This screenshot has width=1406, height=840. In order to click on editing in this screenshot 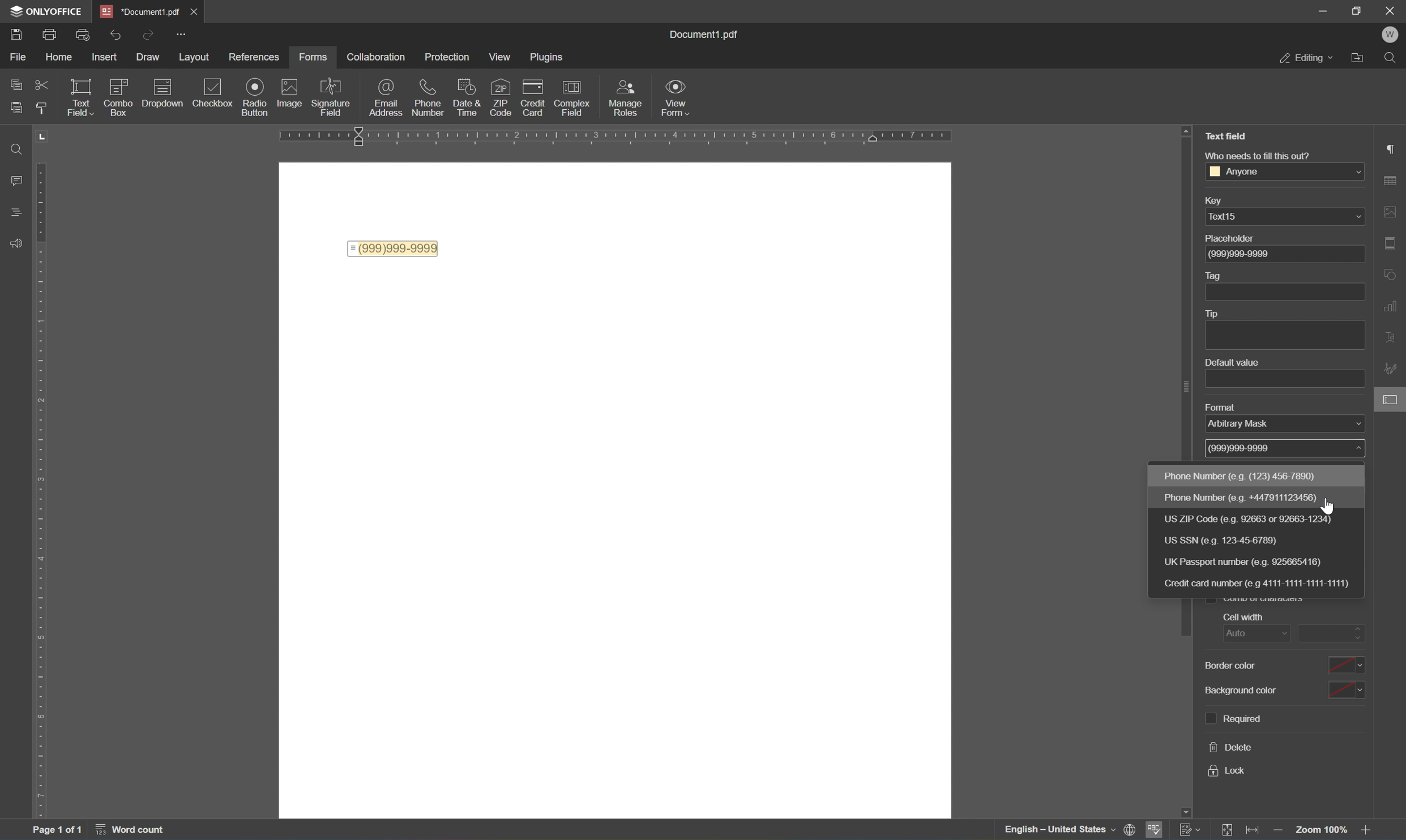, I will do `click(1306, 58)`.